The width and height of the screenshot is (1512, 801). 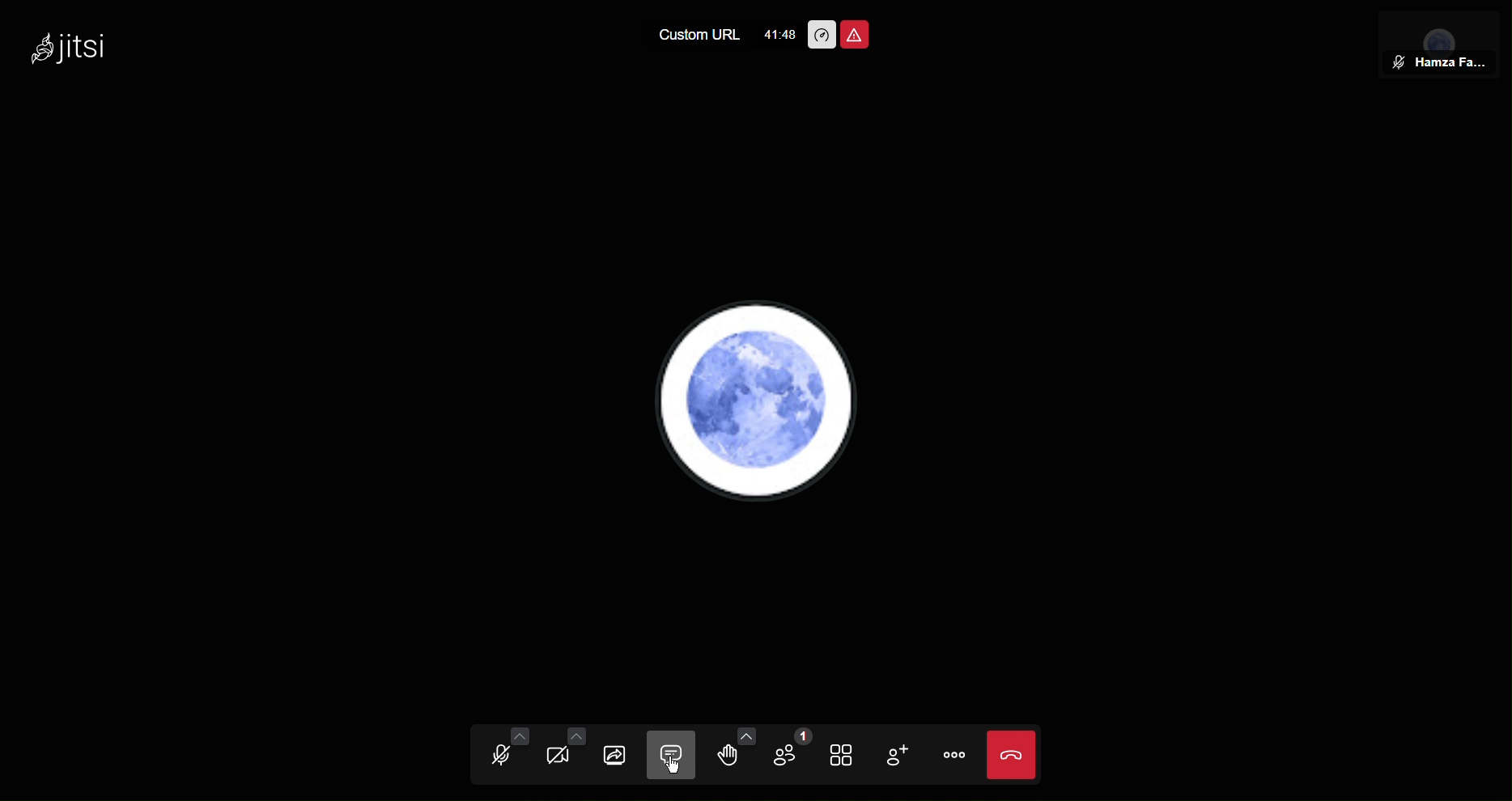 I want to click on Participants, so click(x=792, y=753).